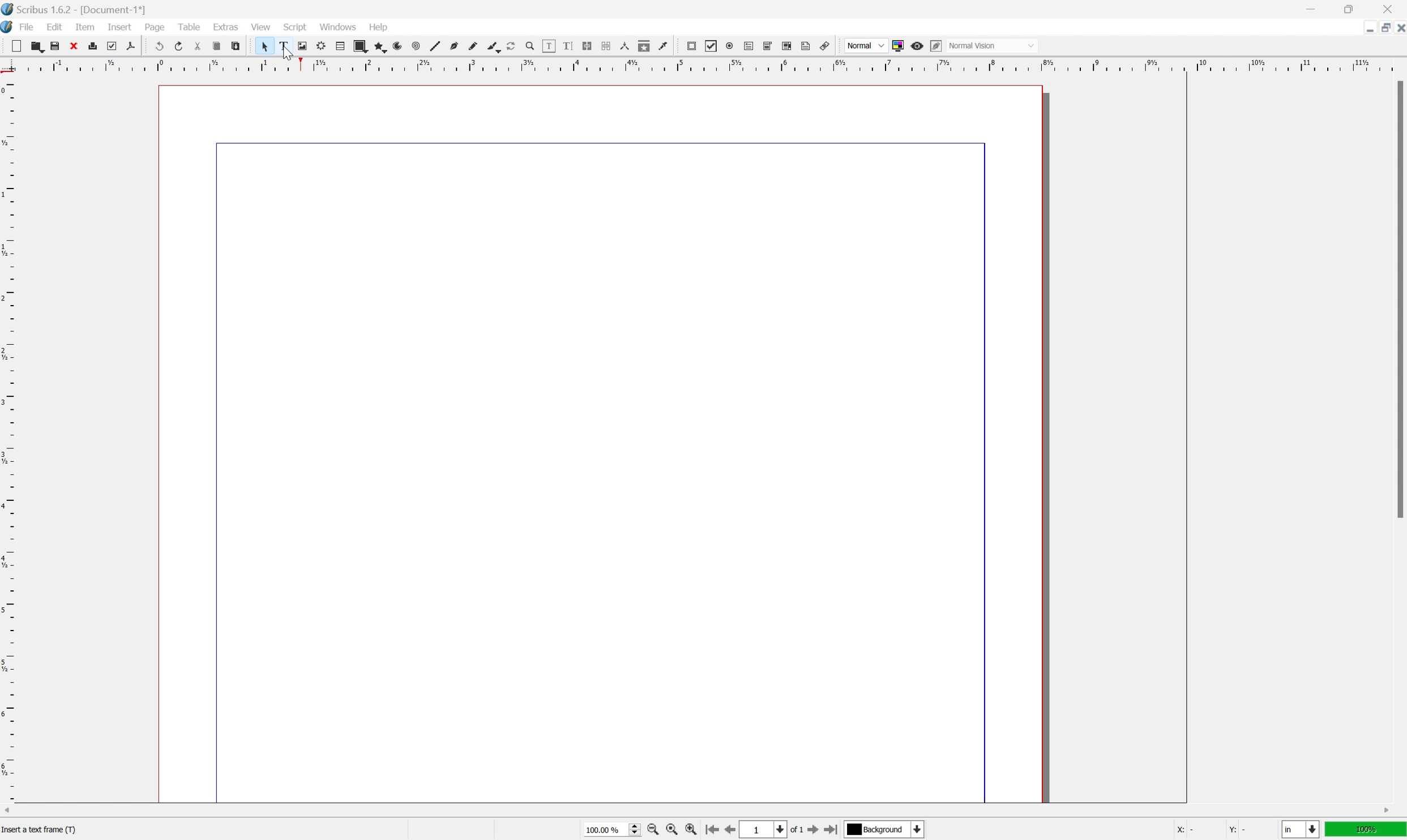 The width and height of the screenshot is (1407, 840). Describe the element at coordinates (866, 45) in the screenshot. I see `normal` at that location.